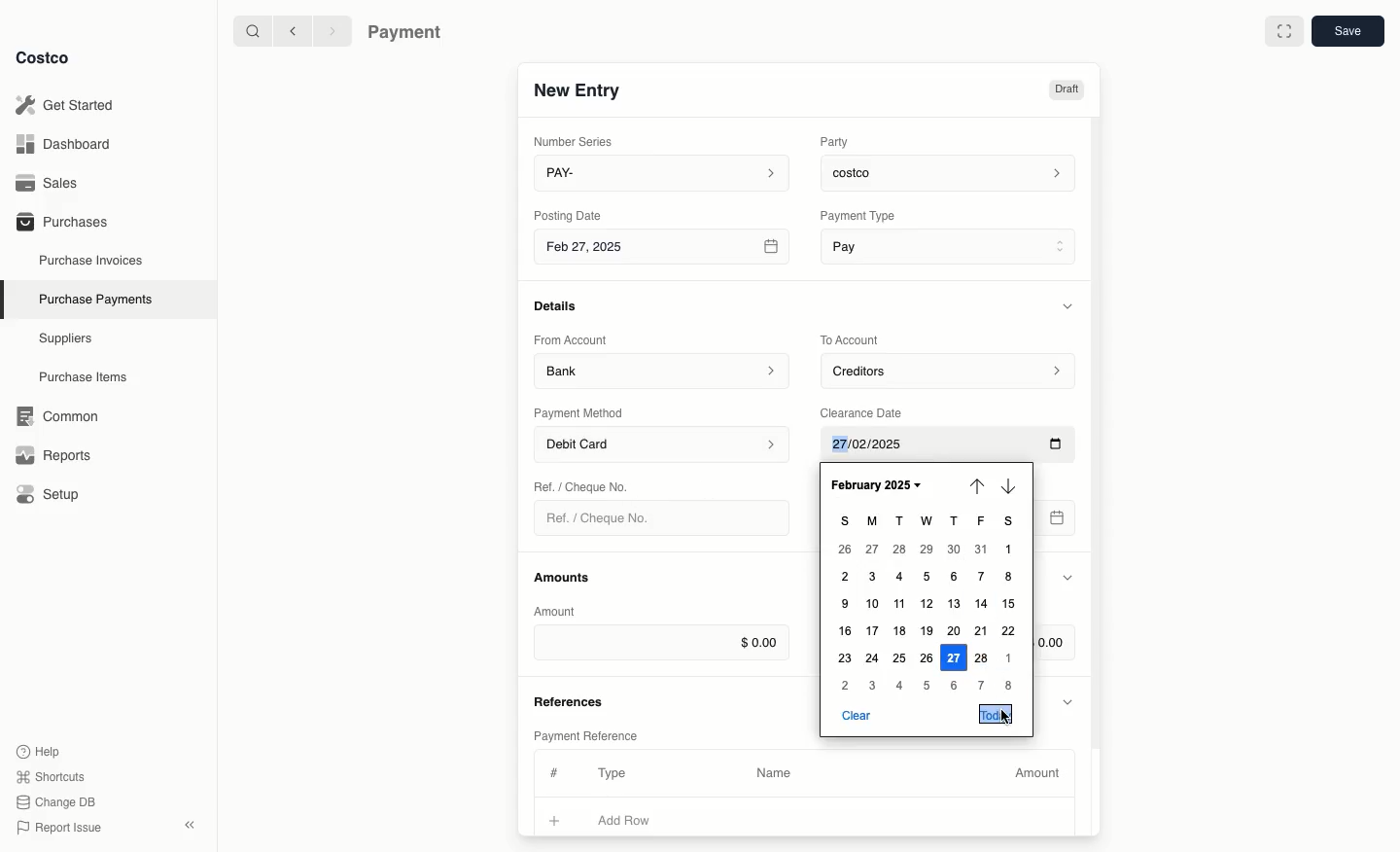  Describe the element at coordinates (1066, 89) in the screenshot. I see `Draft` at that location.